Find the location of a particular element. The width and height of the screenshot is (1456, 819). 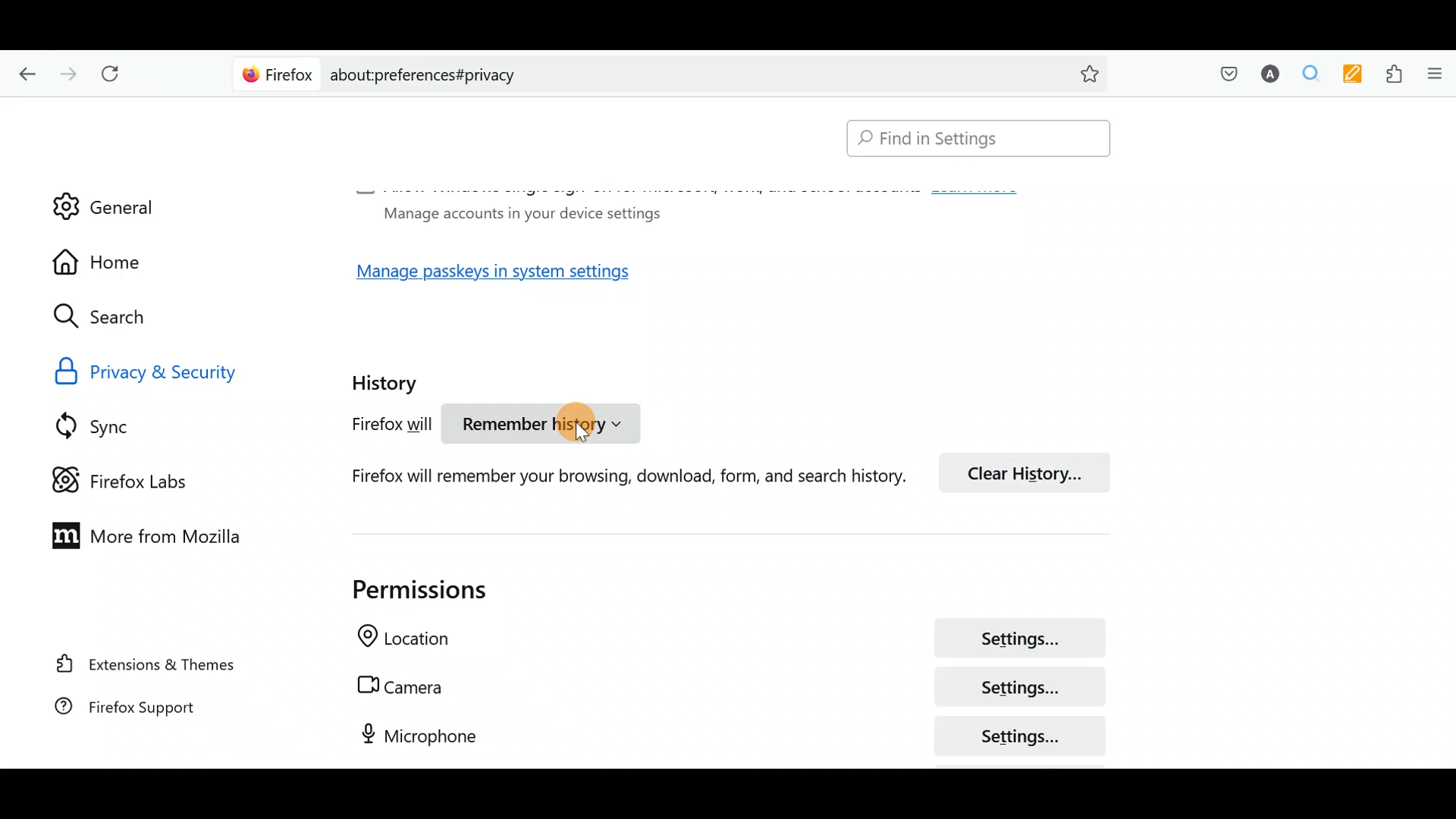

Location settings is located at coordinates (722, 640).